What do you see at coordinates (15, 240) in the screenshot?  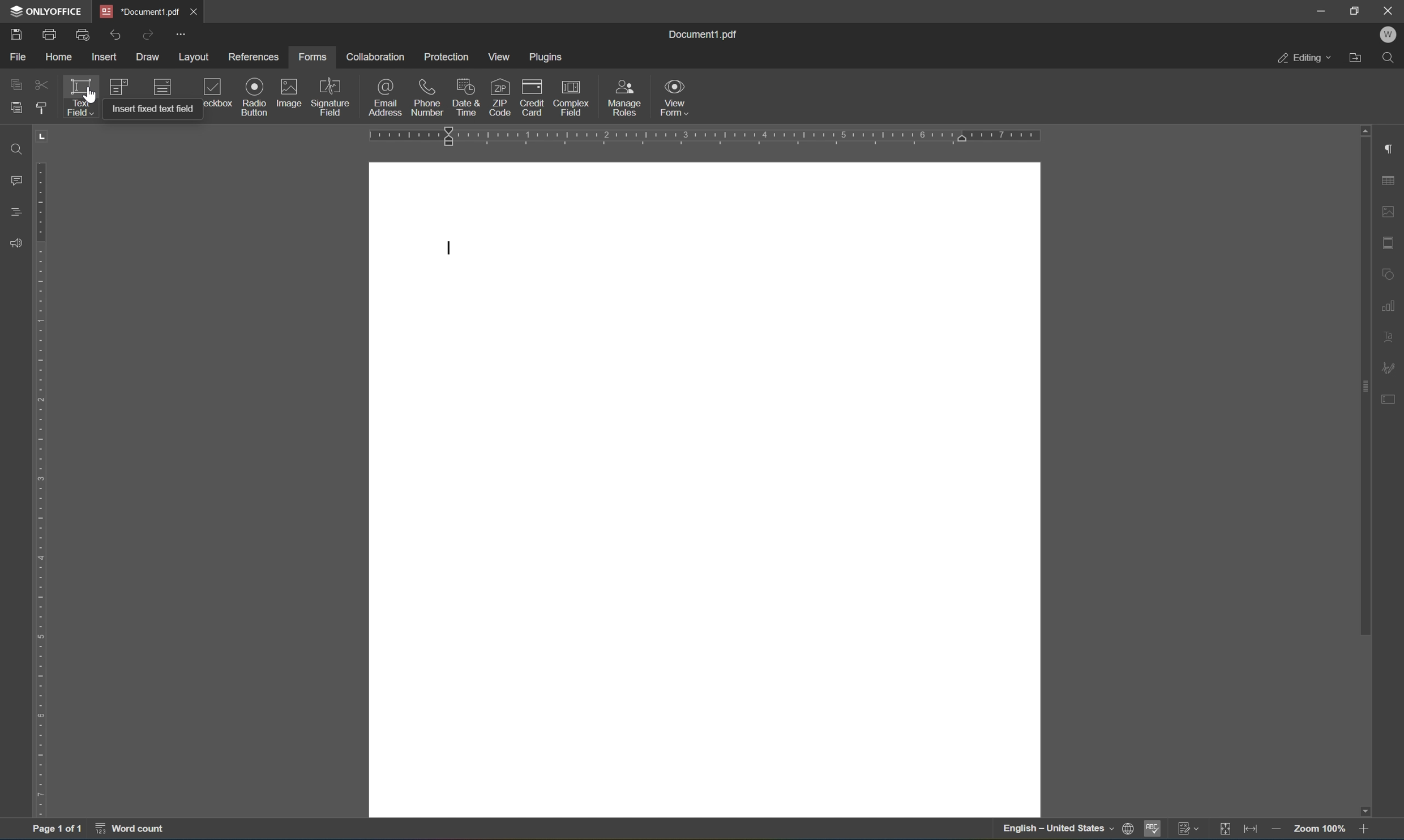 I see `feedback & support` at bounding box center [15, 240].